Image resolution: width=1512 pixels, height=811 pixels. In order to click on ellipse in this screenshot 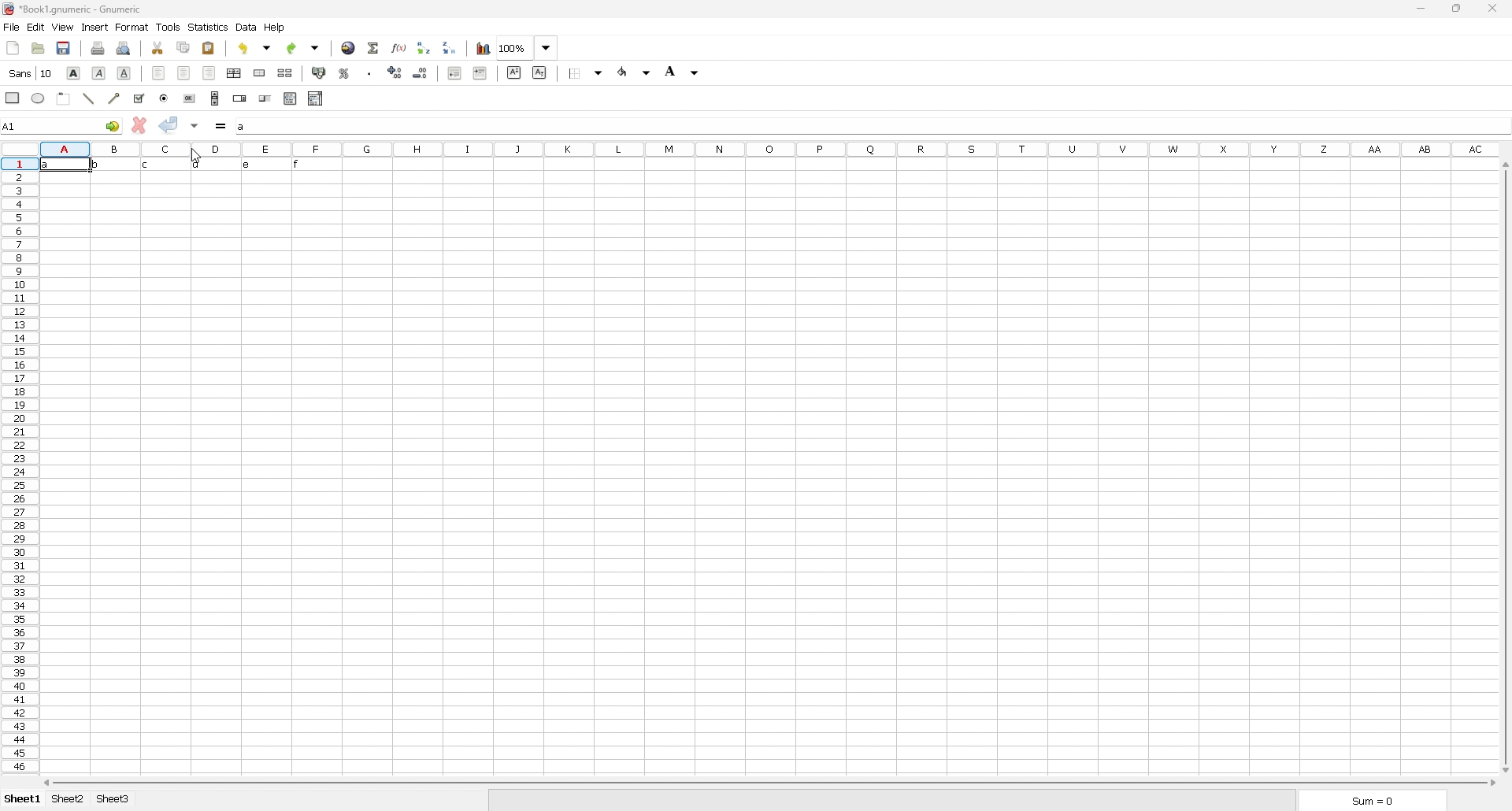, I will do `click(39, 98)`.